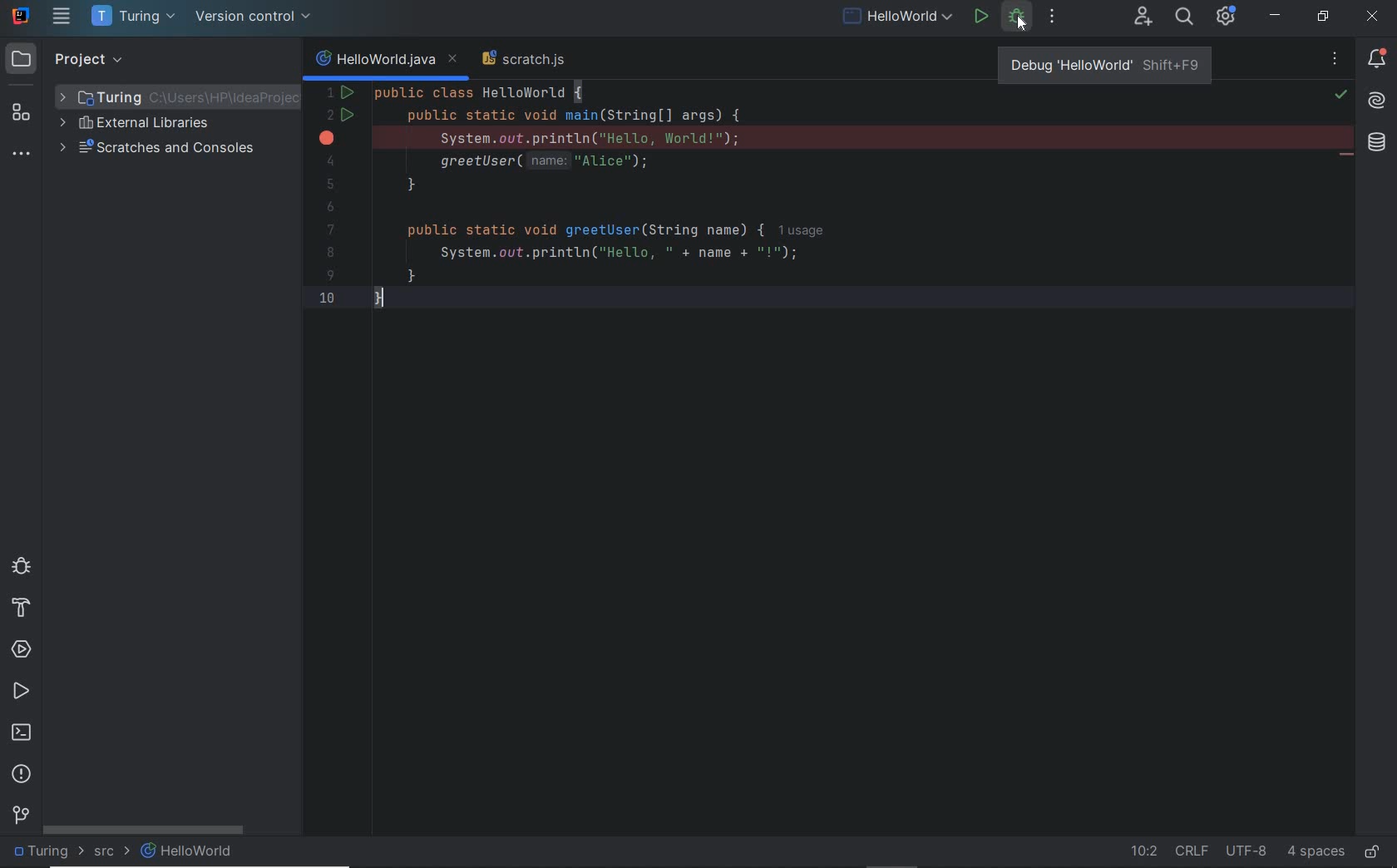 The width and height of the screenshot is (1397, 868). What do you see at coordinates (72, 60) in the screenshot?
I see `project` at bounding box center [72, 60].